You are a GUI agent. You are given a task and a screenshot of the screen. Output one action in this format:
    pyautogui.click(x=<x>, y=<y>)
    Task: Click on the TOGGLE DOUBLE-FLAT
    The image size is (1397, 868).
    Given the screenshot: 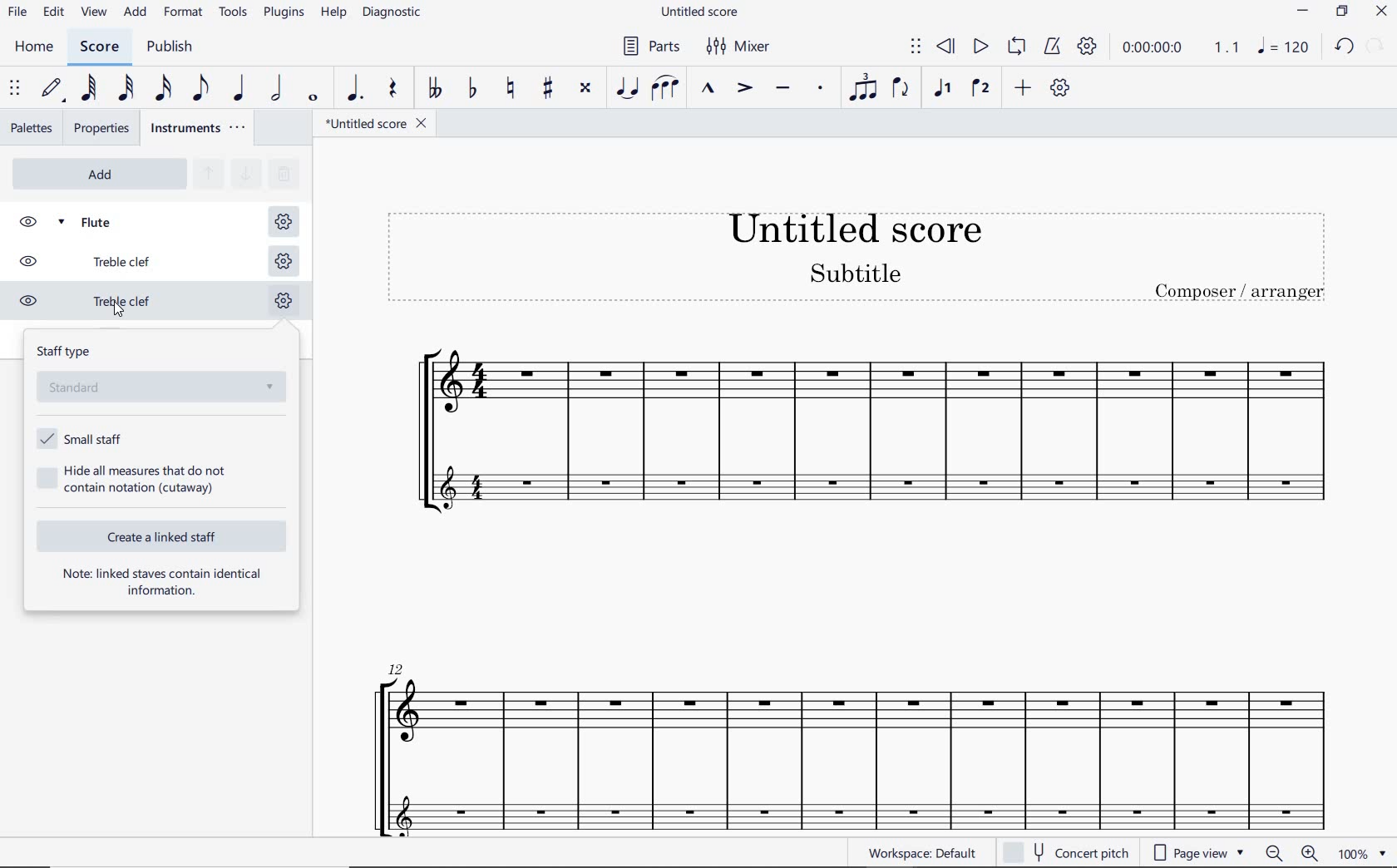 What is the action you would take?
    pyautogui.click(x=433, y=89)
    